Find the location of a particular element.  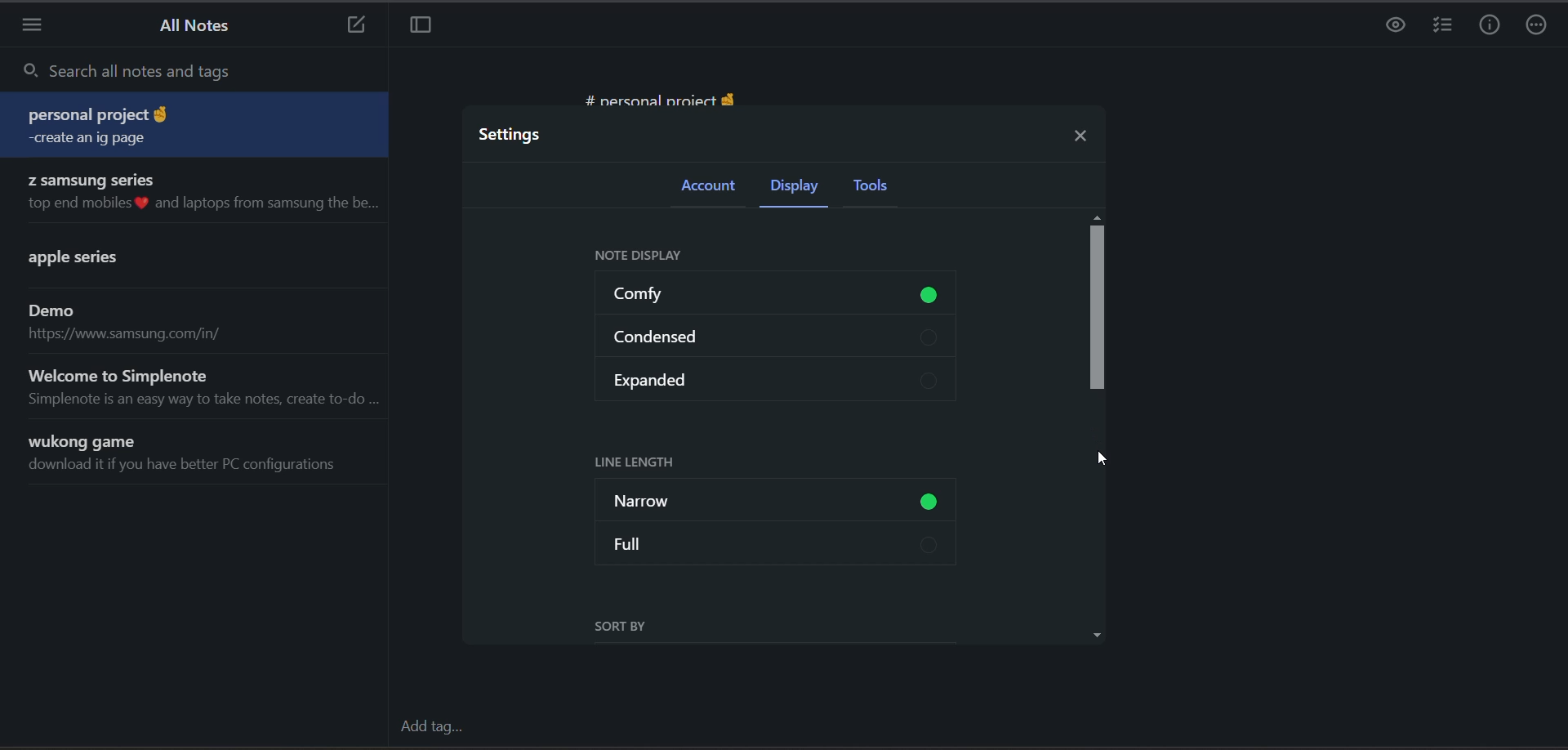

comfy is located at coordinates (780, 295).